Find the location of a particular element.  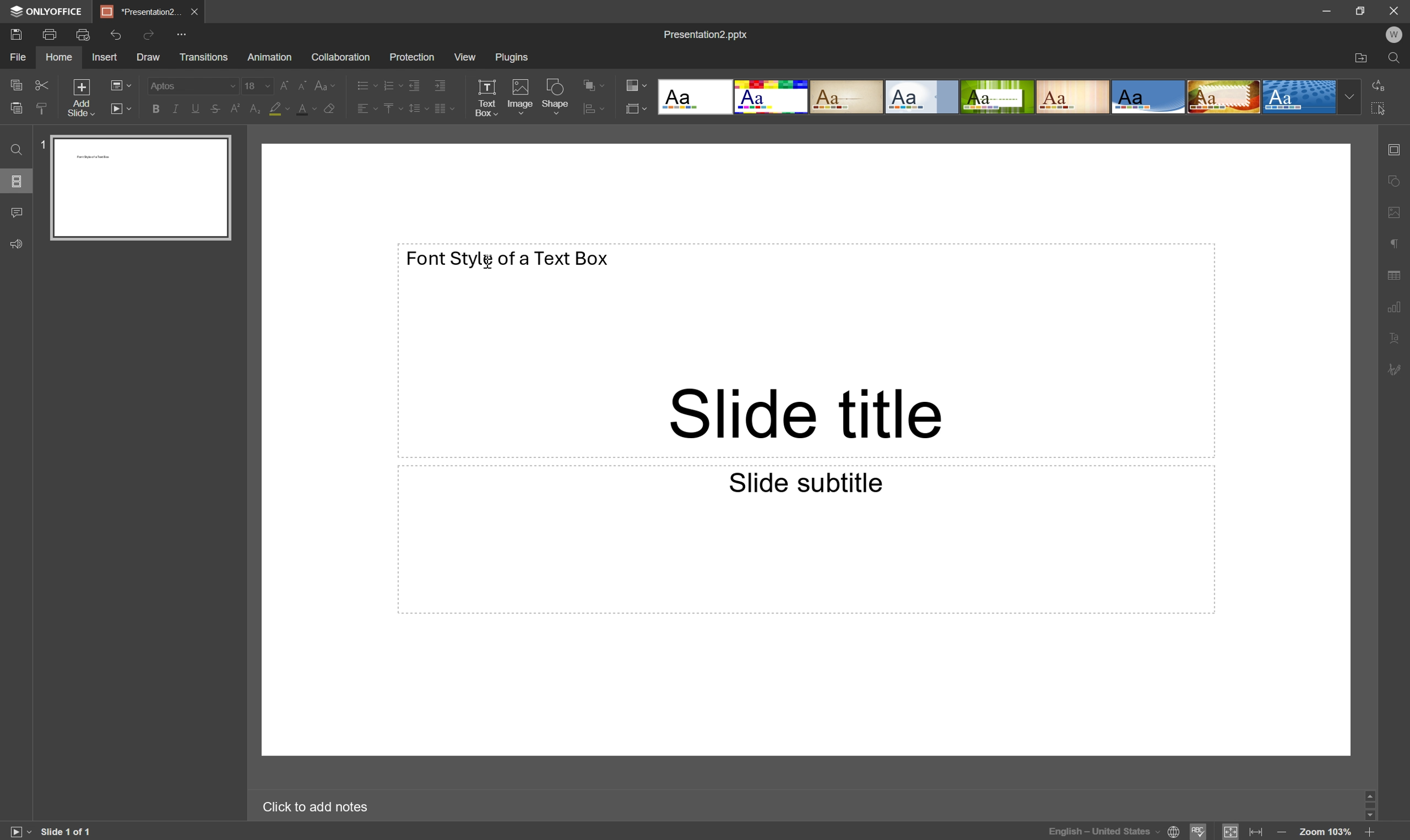

Select slide layout is located at coordinates (638, 107).